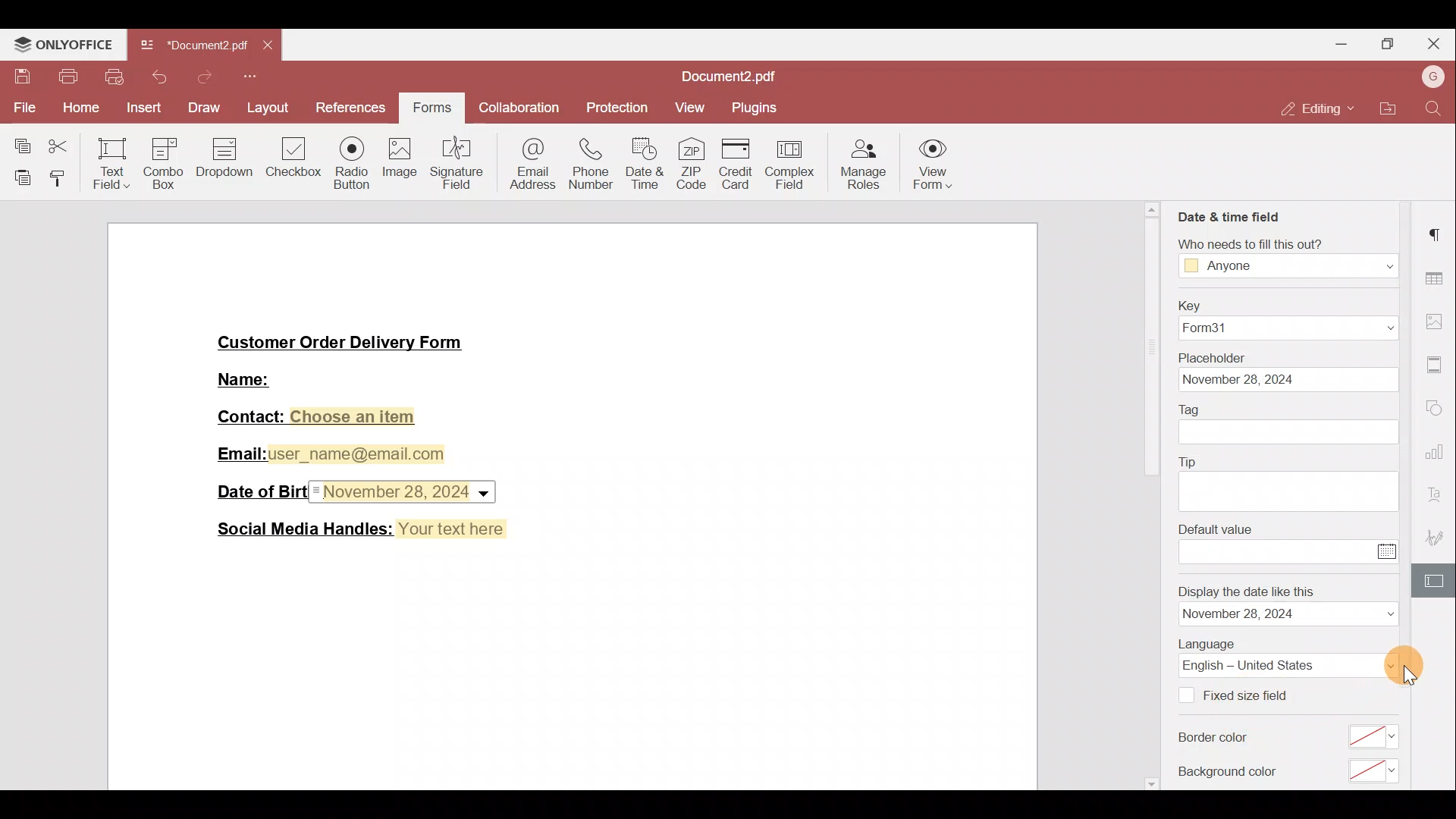 This screenshot has width=1456, height=819. Describe the element at coordinates (21, 106) in the screenshot. I see `File` at that location.